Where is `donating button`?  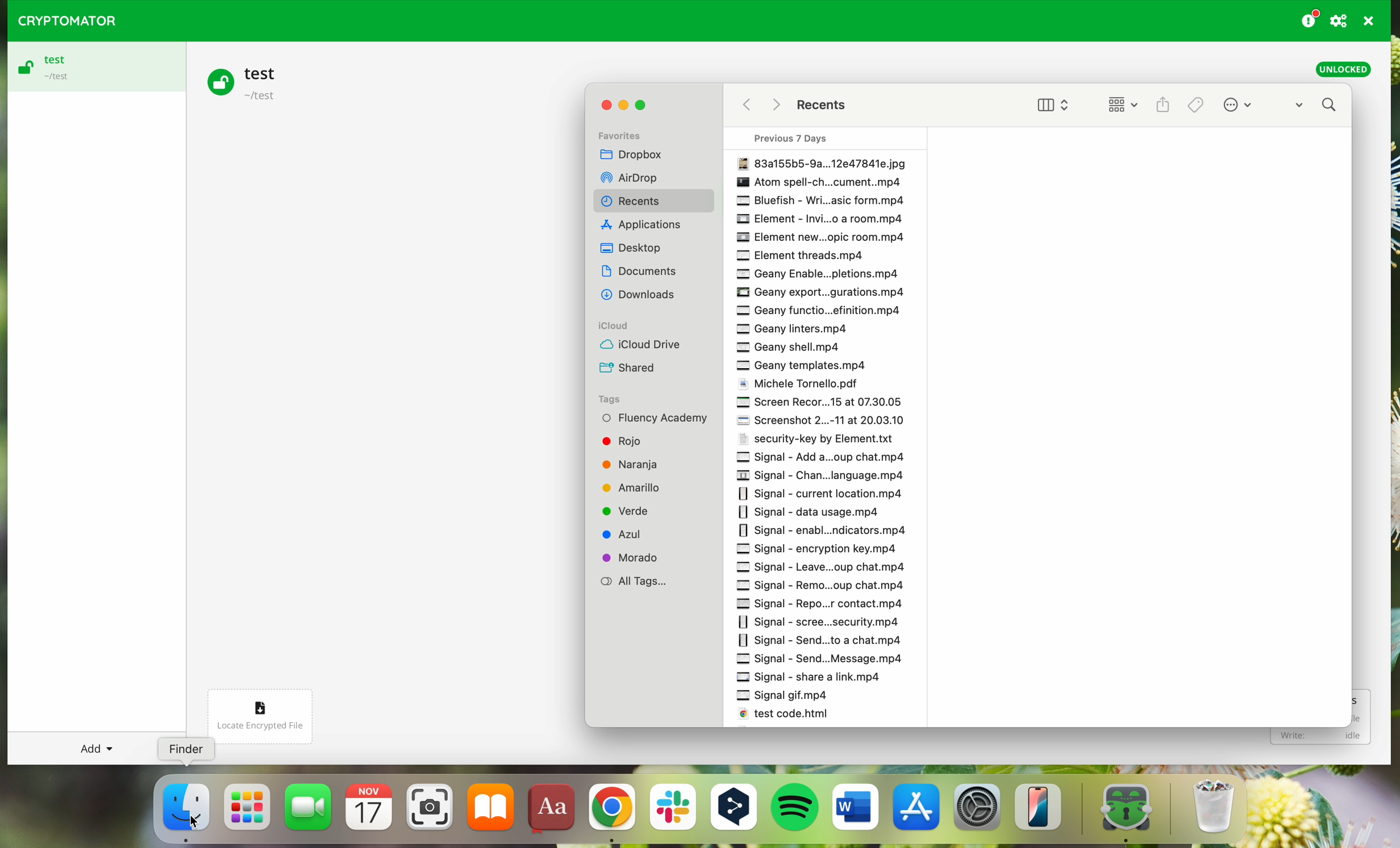 donating button is located at coordinates (1310, 19).